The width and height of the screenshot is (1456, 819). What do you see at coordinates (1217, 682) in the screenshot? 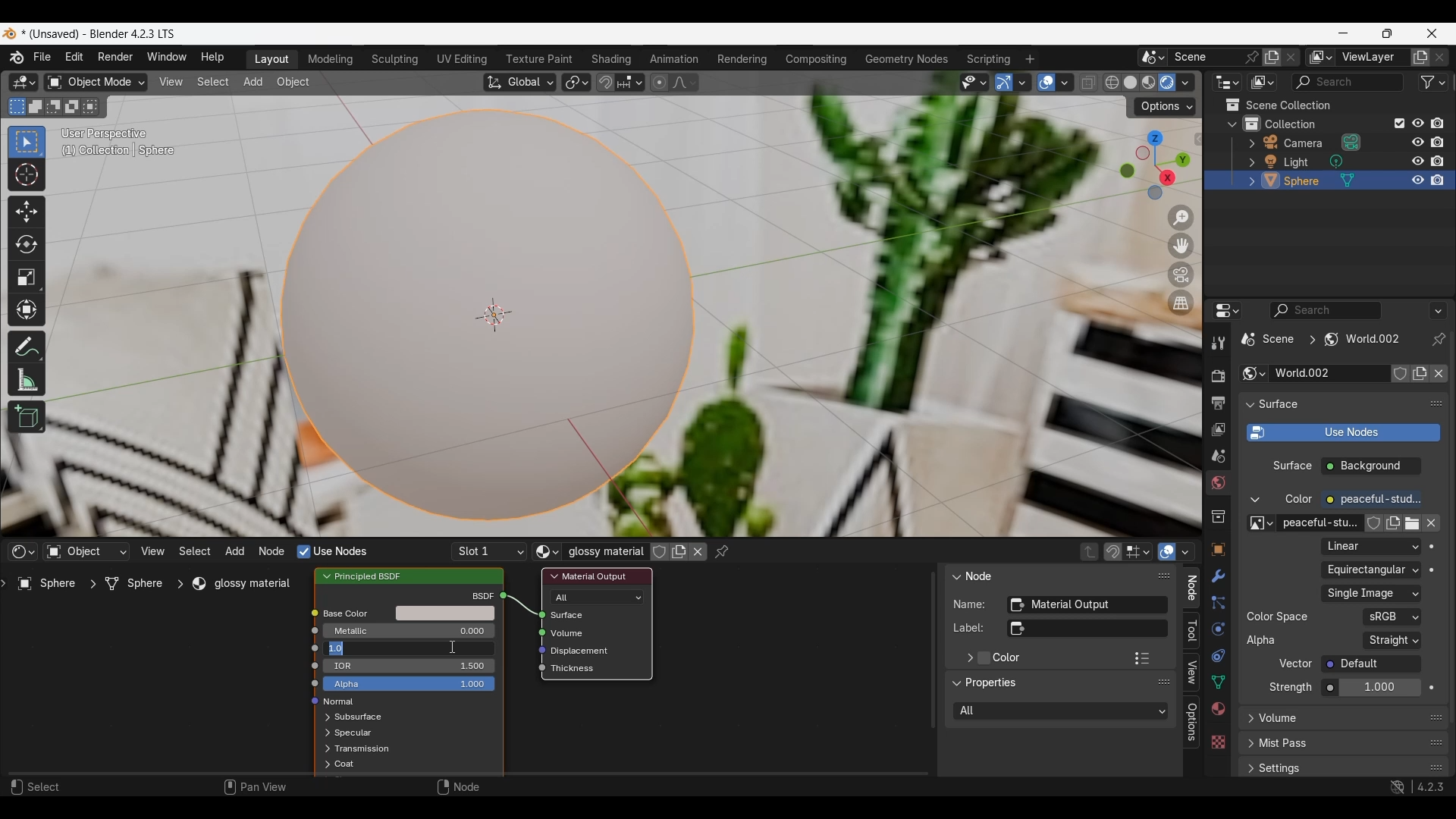
I see `Object data properties` at bounding box center [1217, 682].